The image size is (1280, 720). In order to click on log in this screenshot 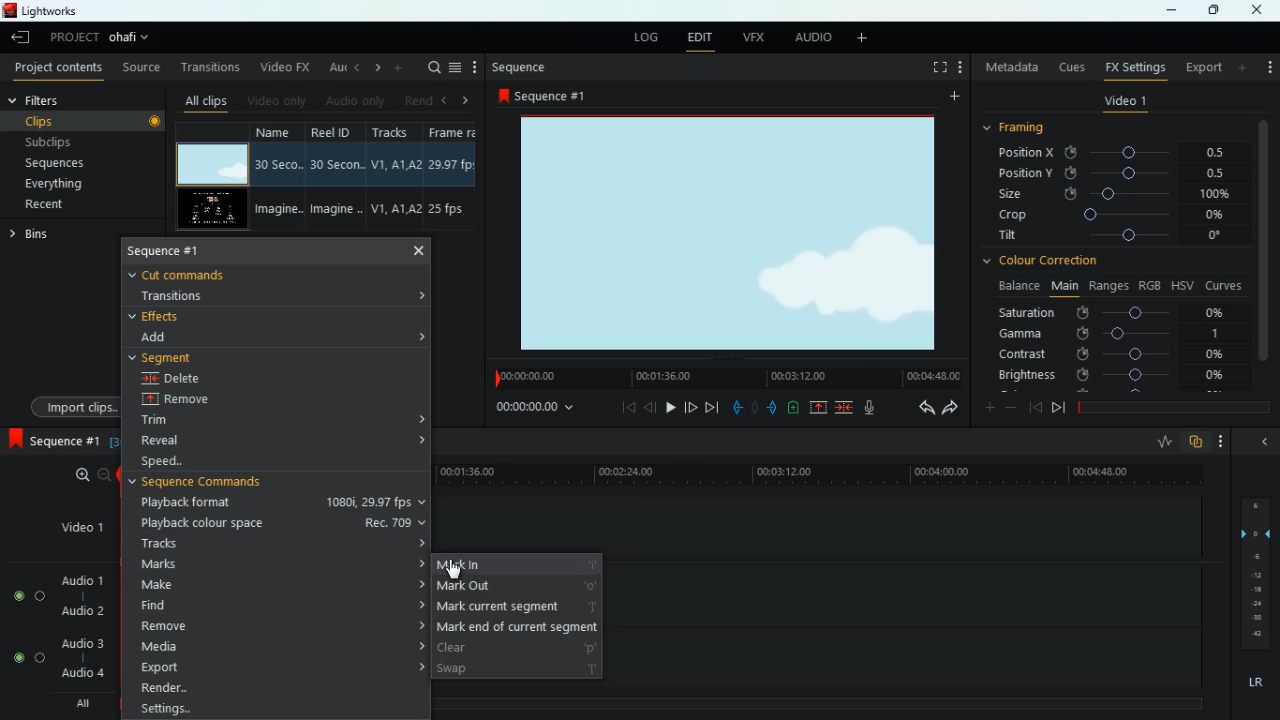, I will do `click(650, 37)`.